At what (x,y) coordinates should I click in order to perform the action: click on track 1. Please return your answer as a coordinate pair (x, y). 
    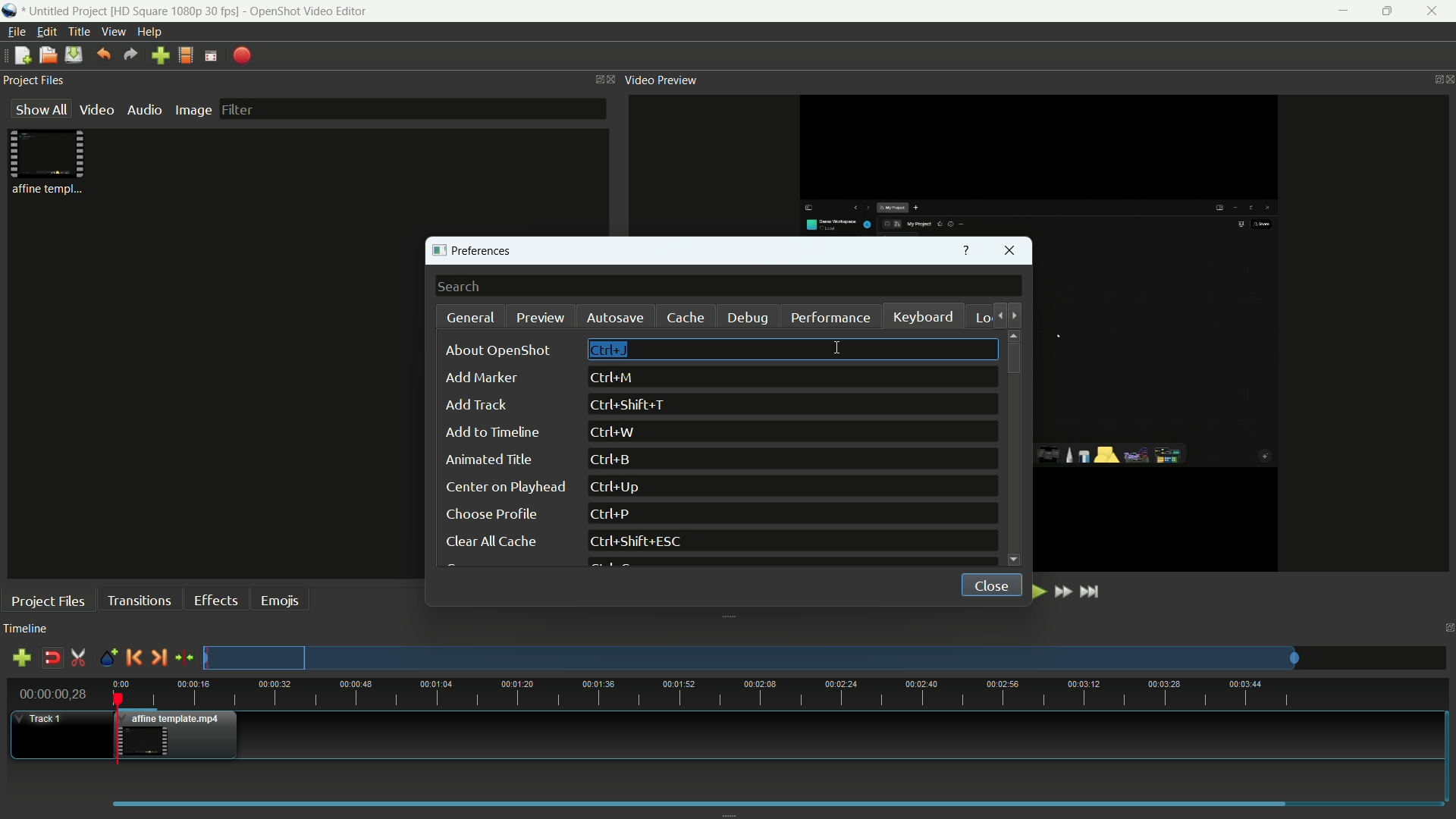
    Looking at the image, I should click on (42, 719).